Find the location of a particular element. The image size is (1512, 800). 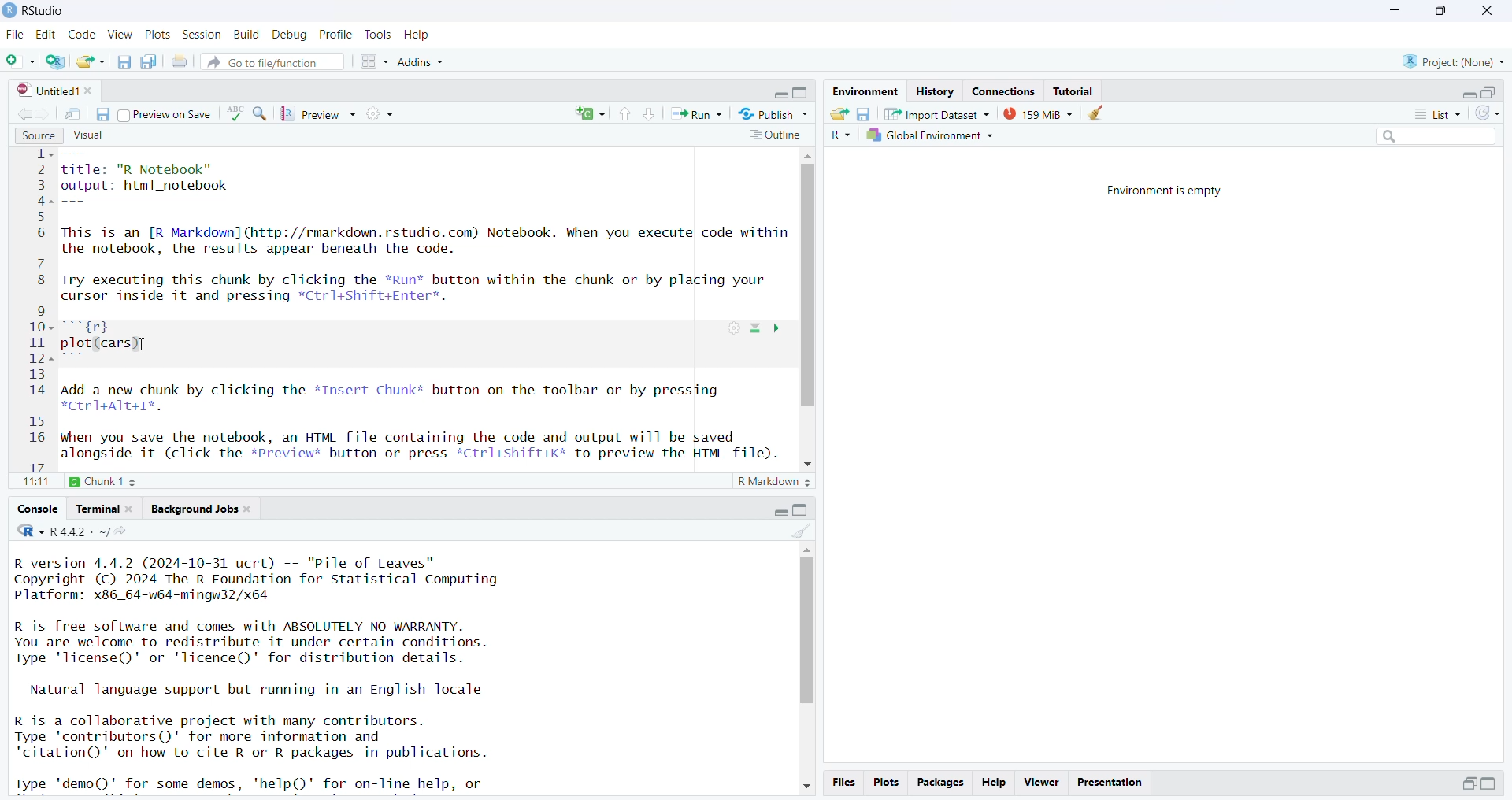

clear console is located at coordinates (802, 529).